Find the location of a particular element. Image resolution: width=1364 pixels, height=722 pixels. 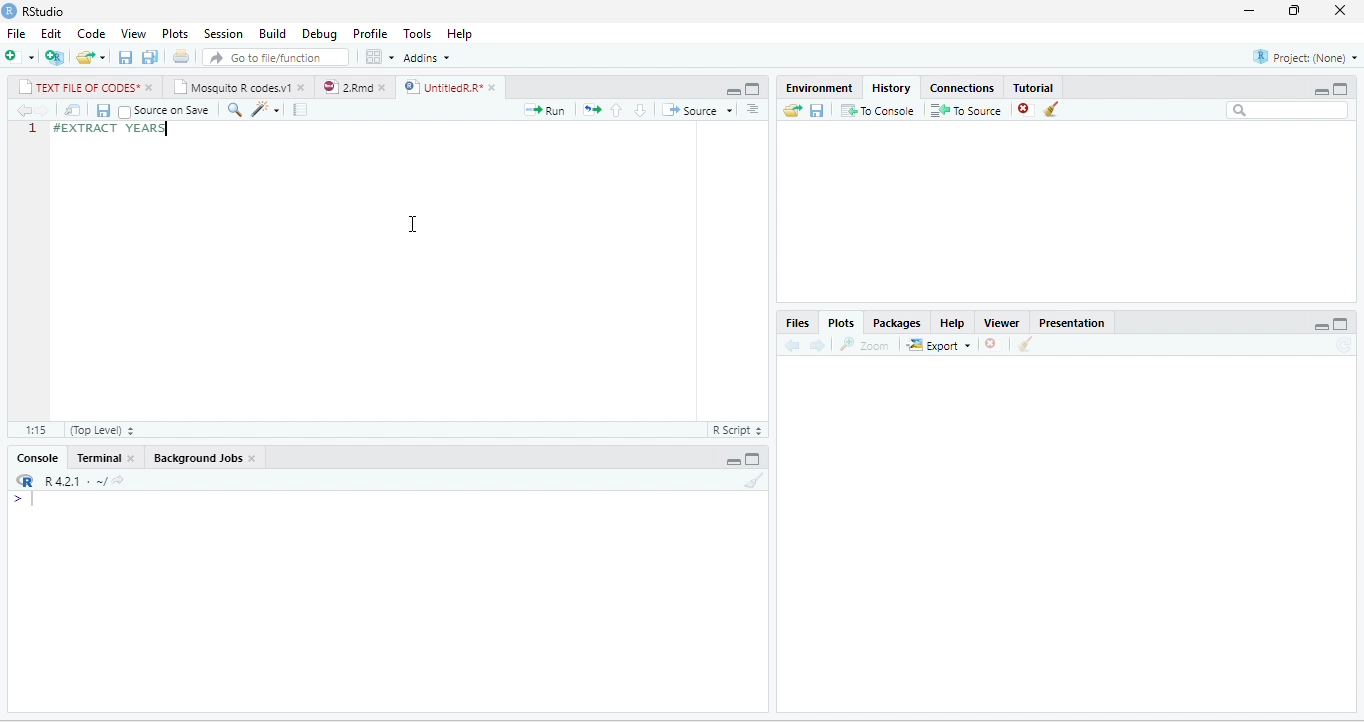

1:15 is located at coordinates (35, 430).